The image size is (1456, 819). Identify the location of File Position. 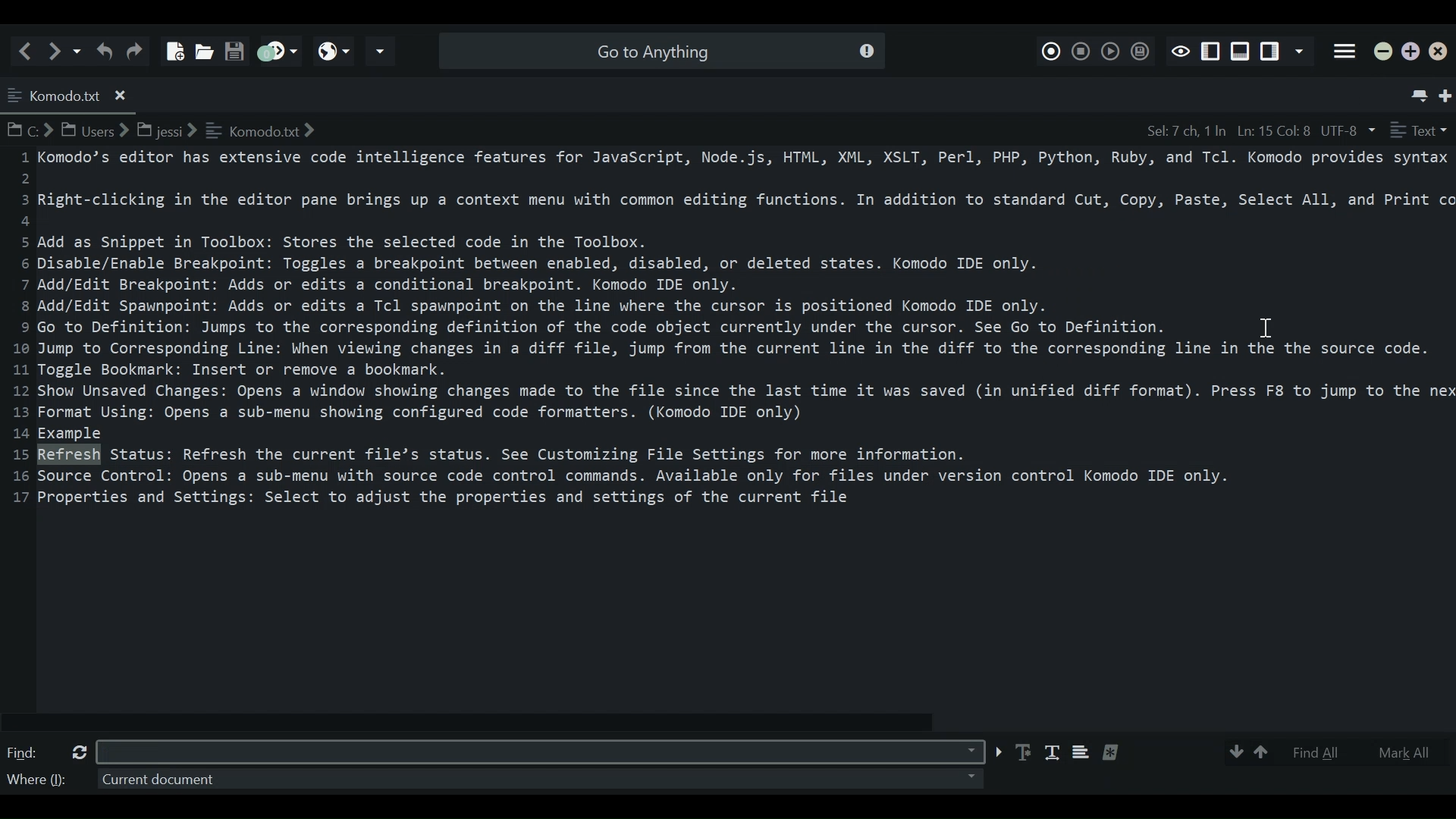
(1226, 130).